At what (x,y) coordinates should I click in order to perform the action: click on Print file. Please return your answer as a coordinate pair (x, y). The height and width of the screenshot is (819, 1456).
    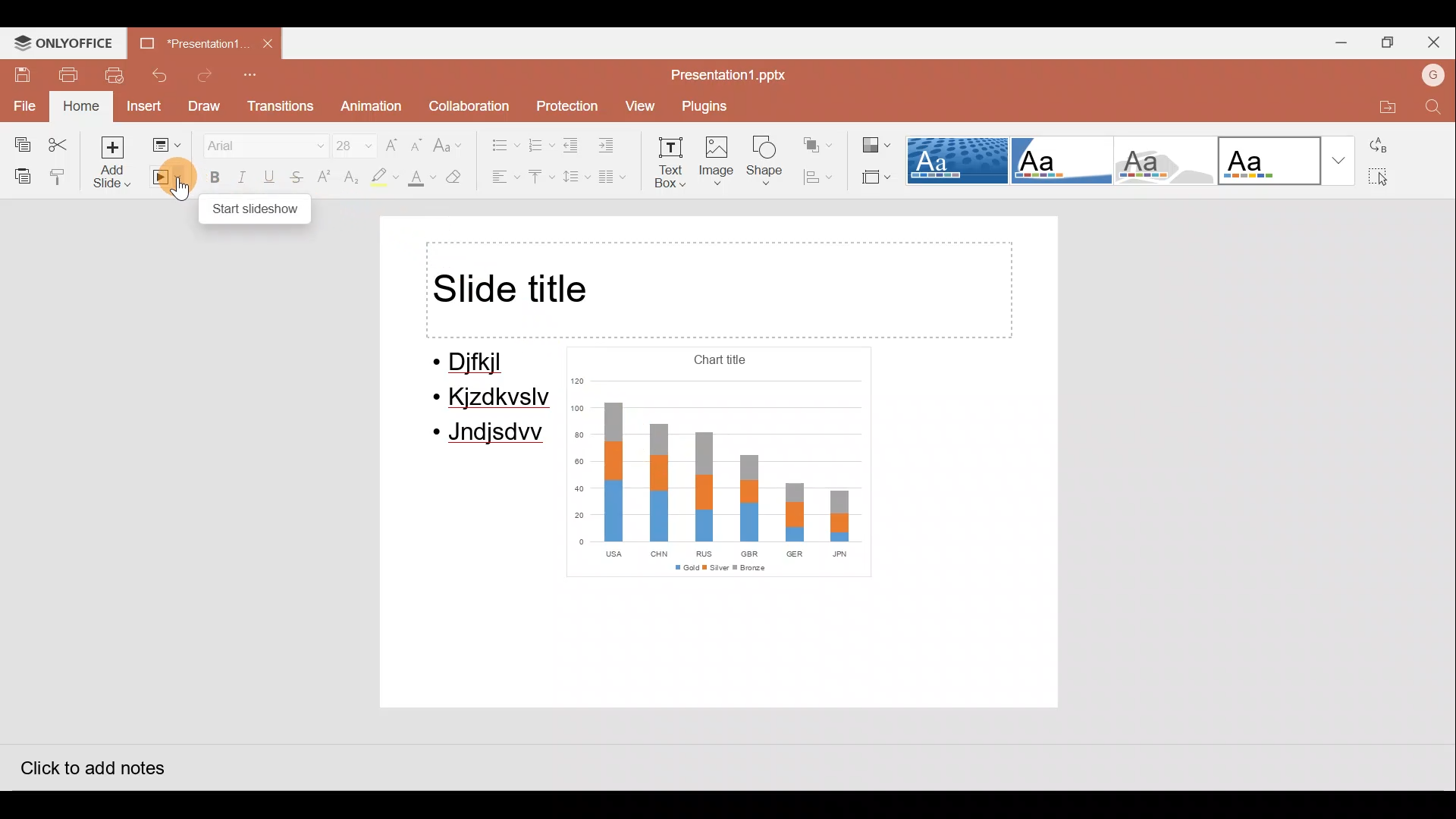
    Looking at the image, I should click on (58, 74).